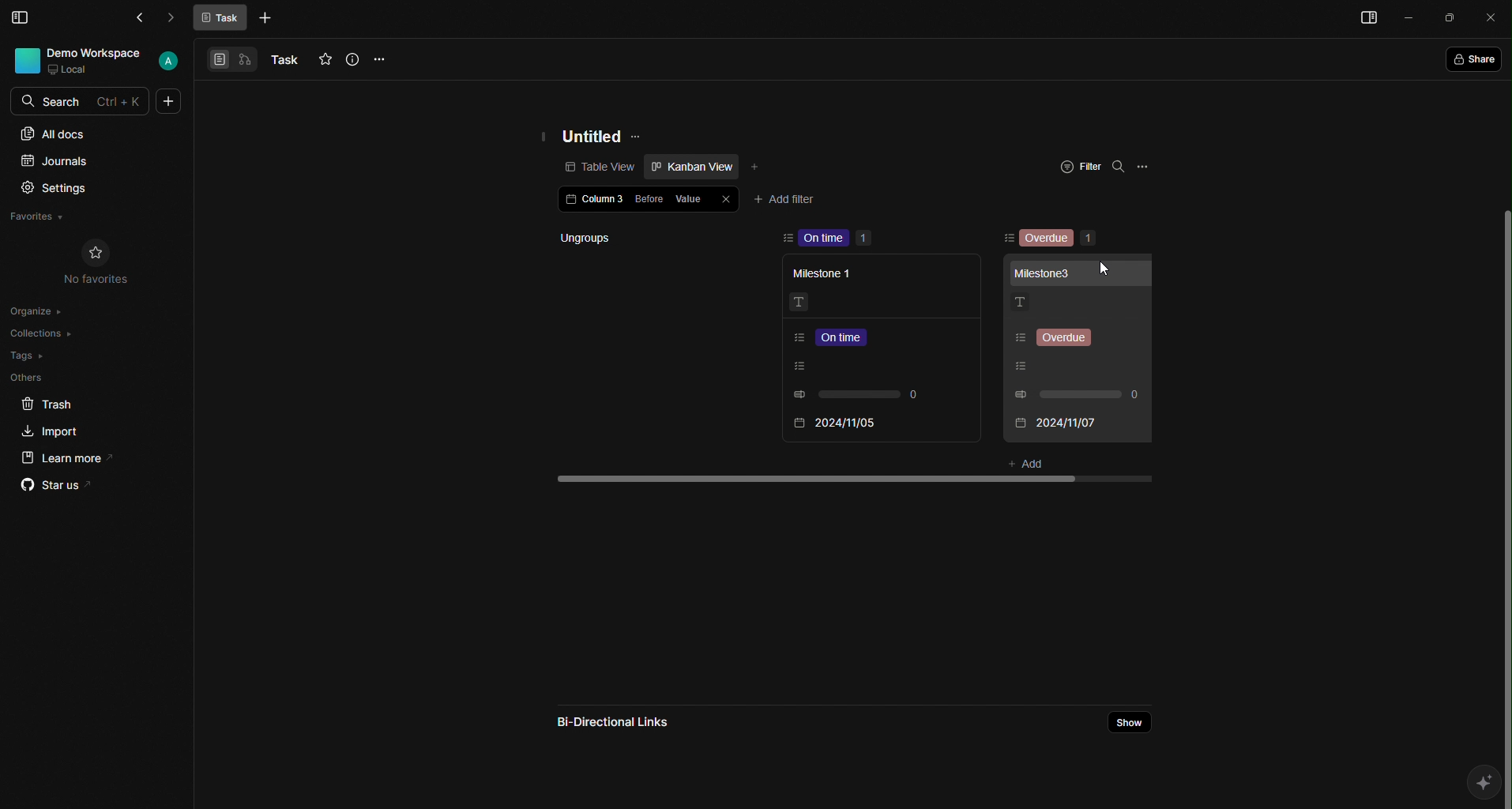  Describe the element at coordinates (96, 263) in the screenshot. I see `No Favorites` at that location.